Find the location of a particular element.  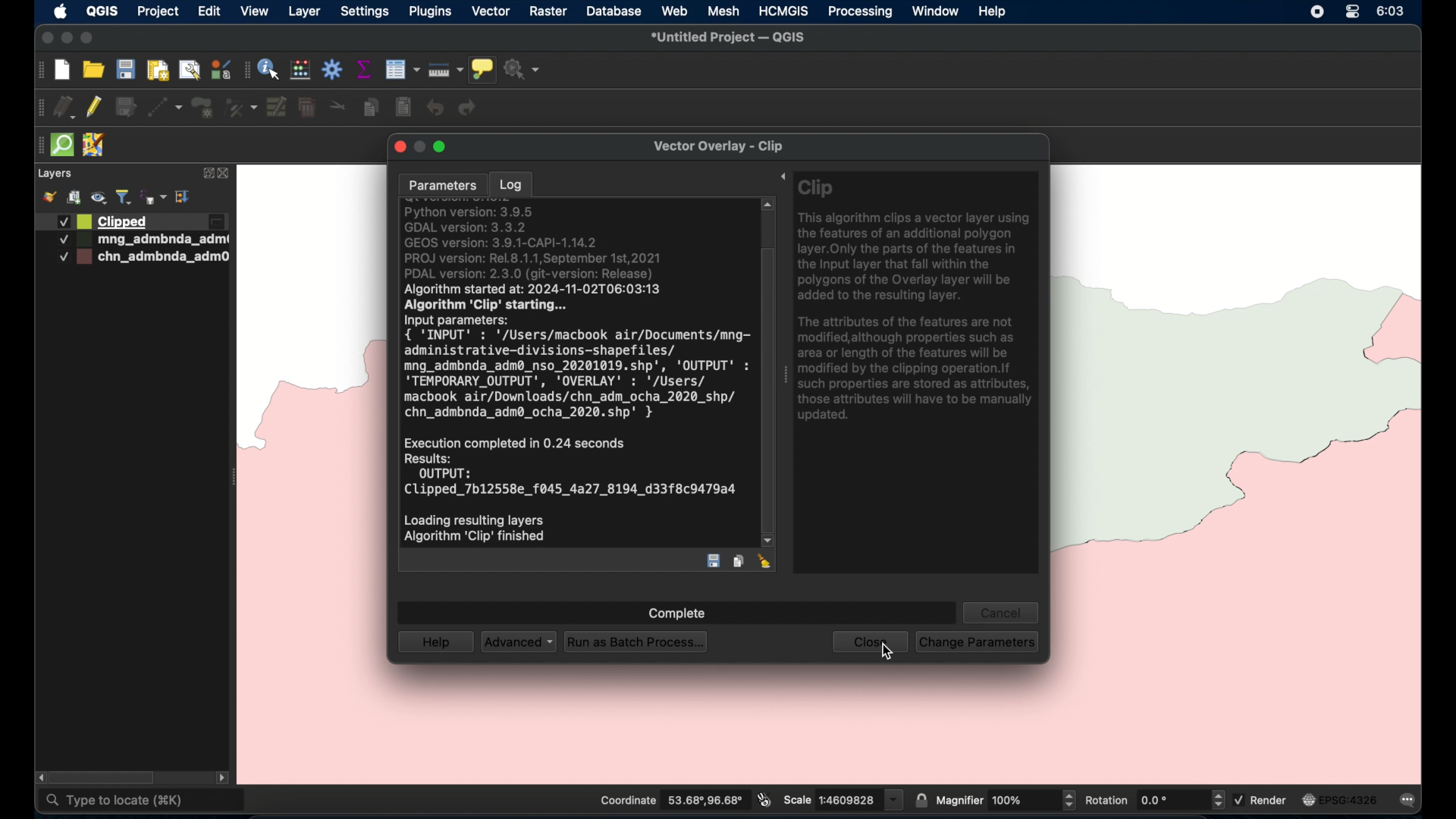

coordinate is located at coordinates (670, 800).